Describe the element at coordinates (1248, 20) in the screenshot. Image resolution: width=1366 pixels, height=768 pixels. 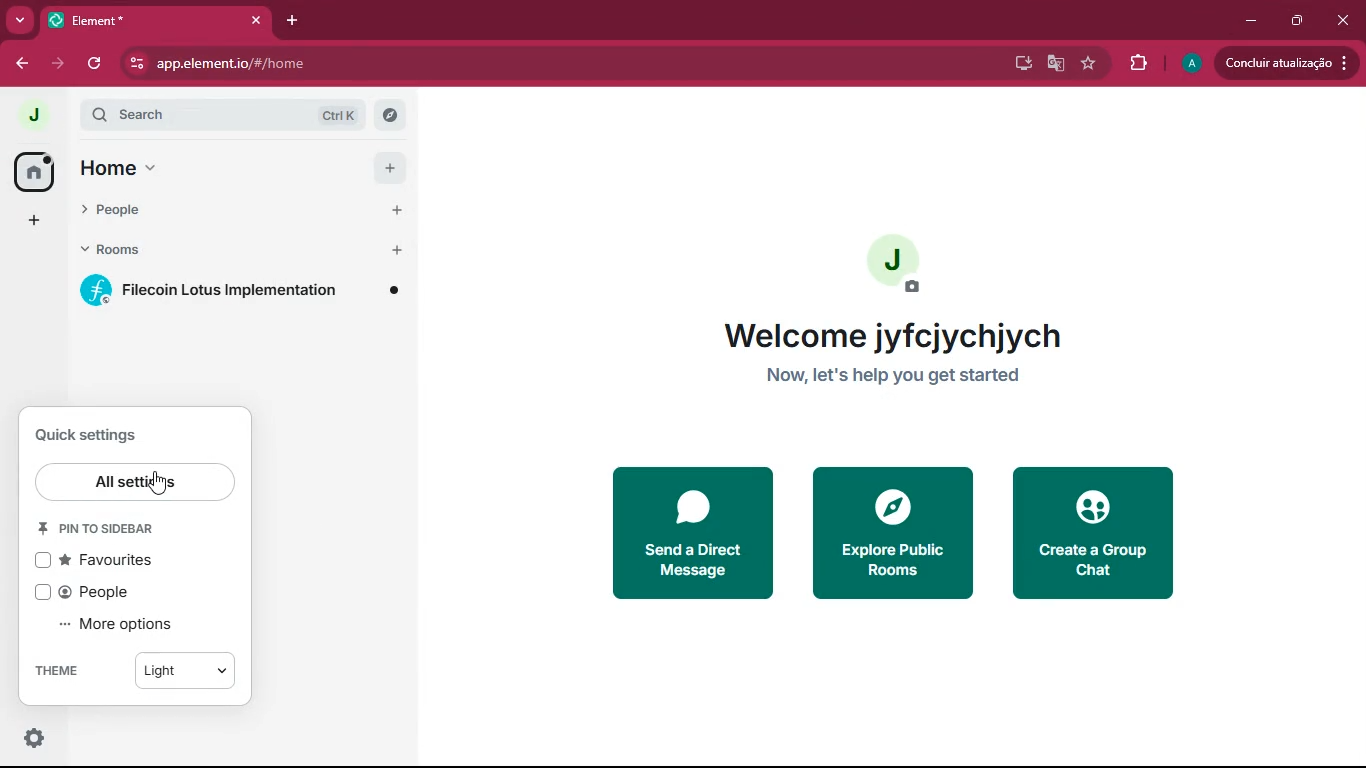
I see `minimize` at that location.